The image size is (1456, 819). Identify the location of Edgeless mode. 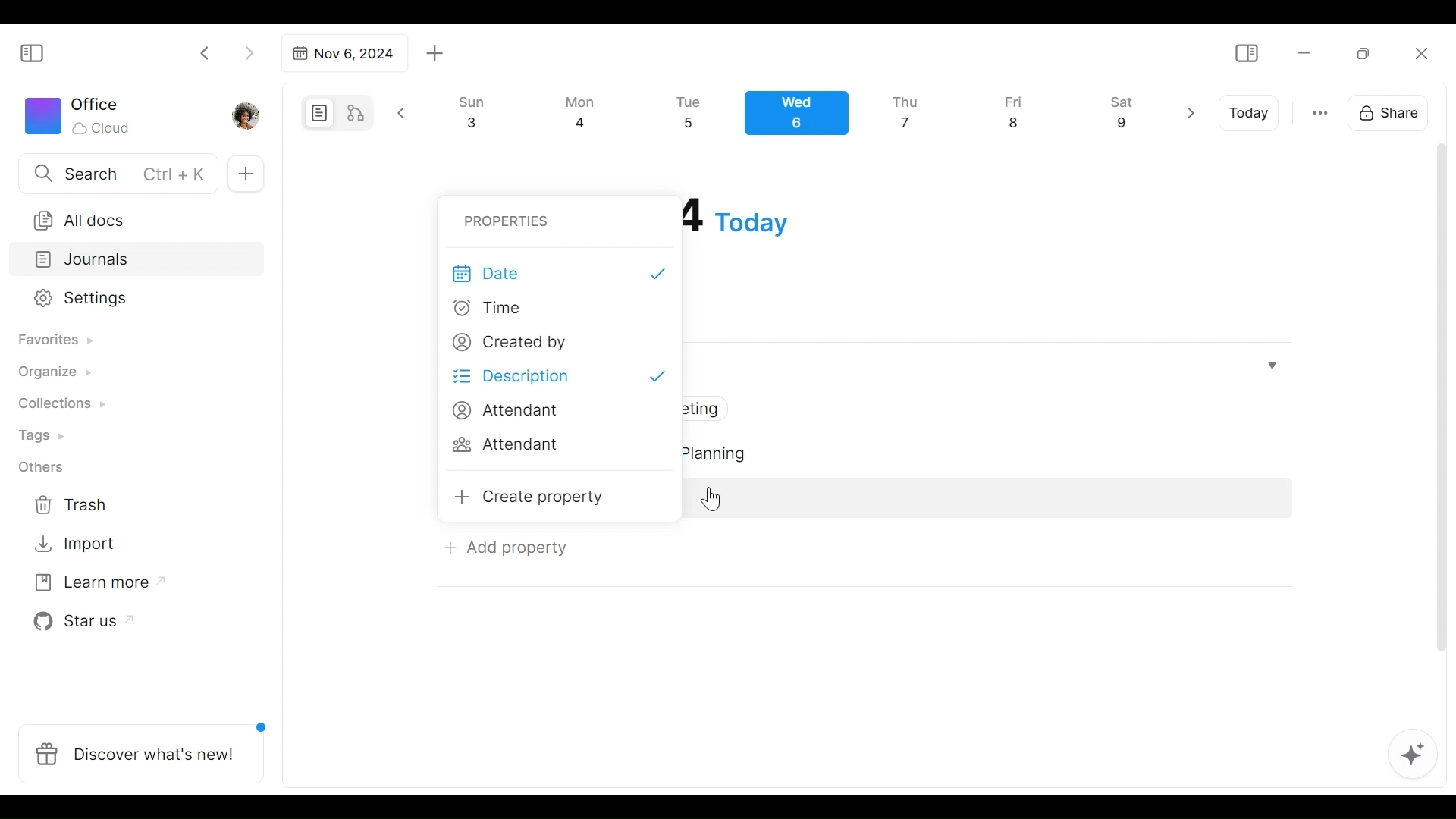
(357, 112).